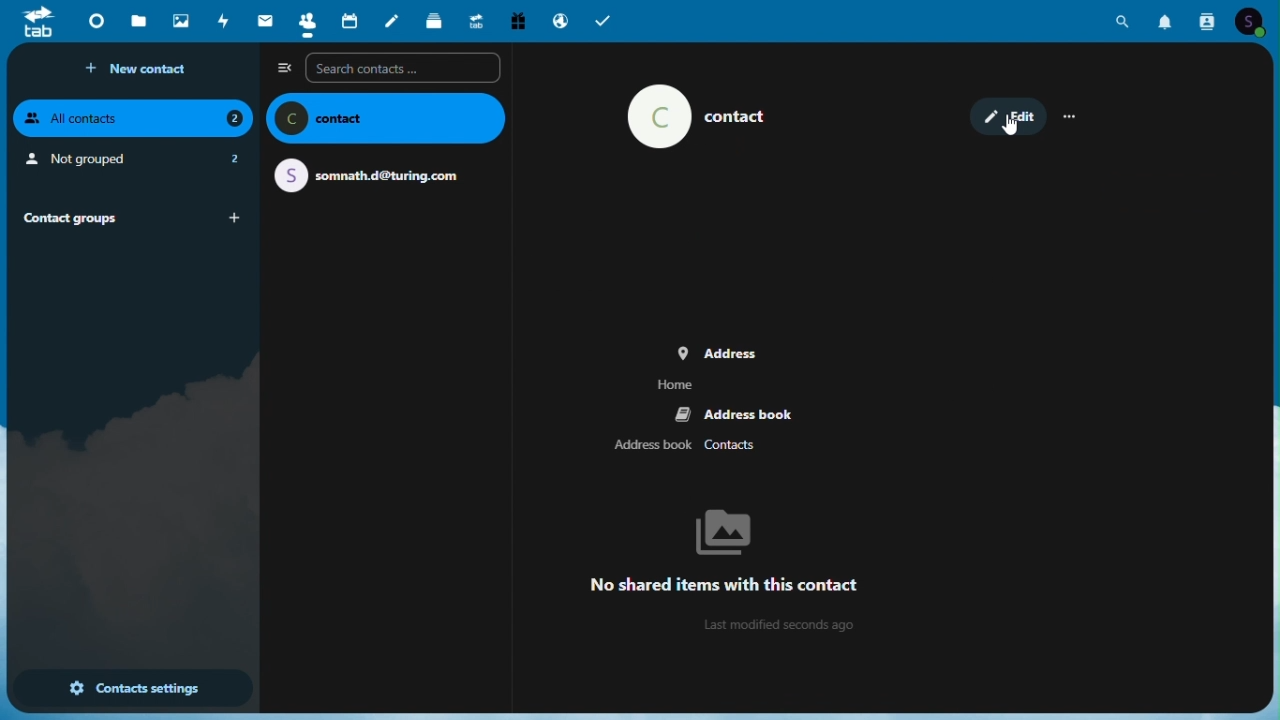 This screenshot has width=1280, height=720. What do you see at coordinates (134, 119) in the screenshot?
I see `all contacts` at bounding box center [134, 119].